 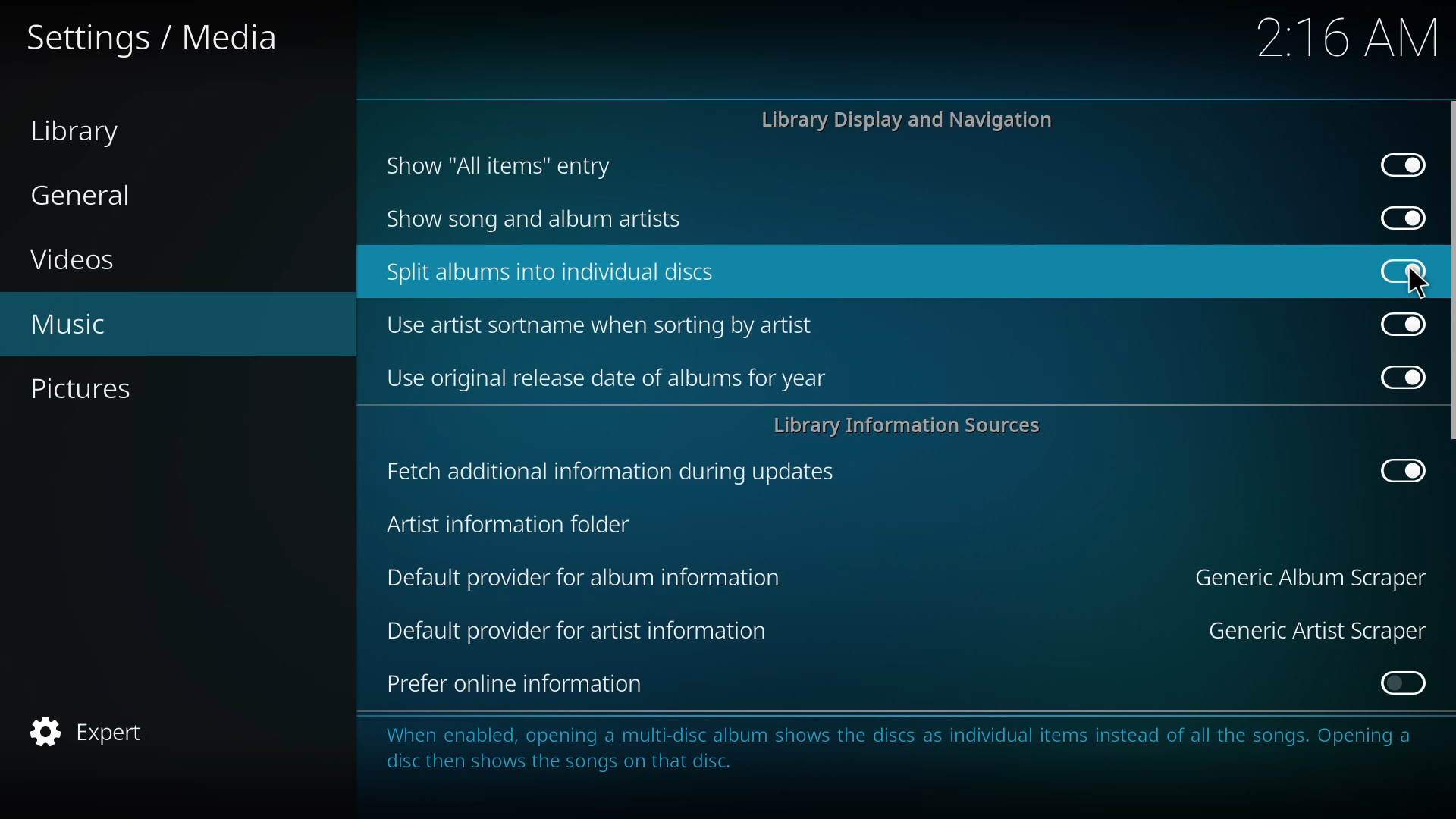 I want to click on library display and navigation, so click(x=910, y=120).